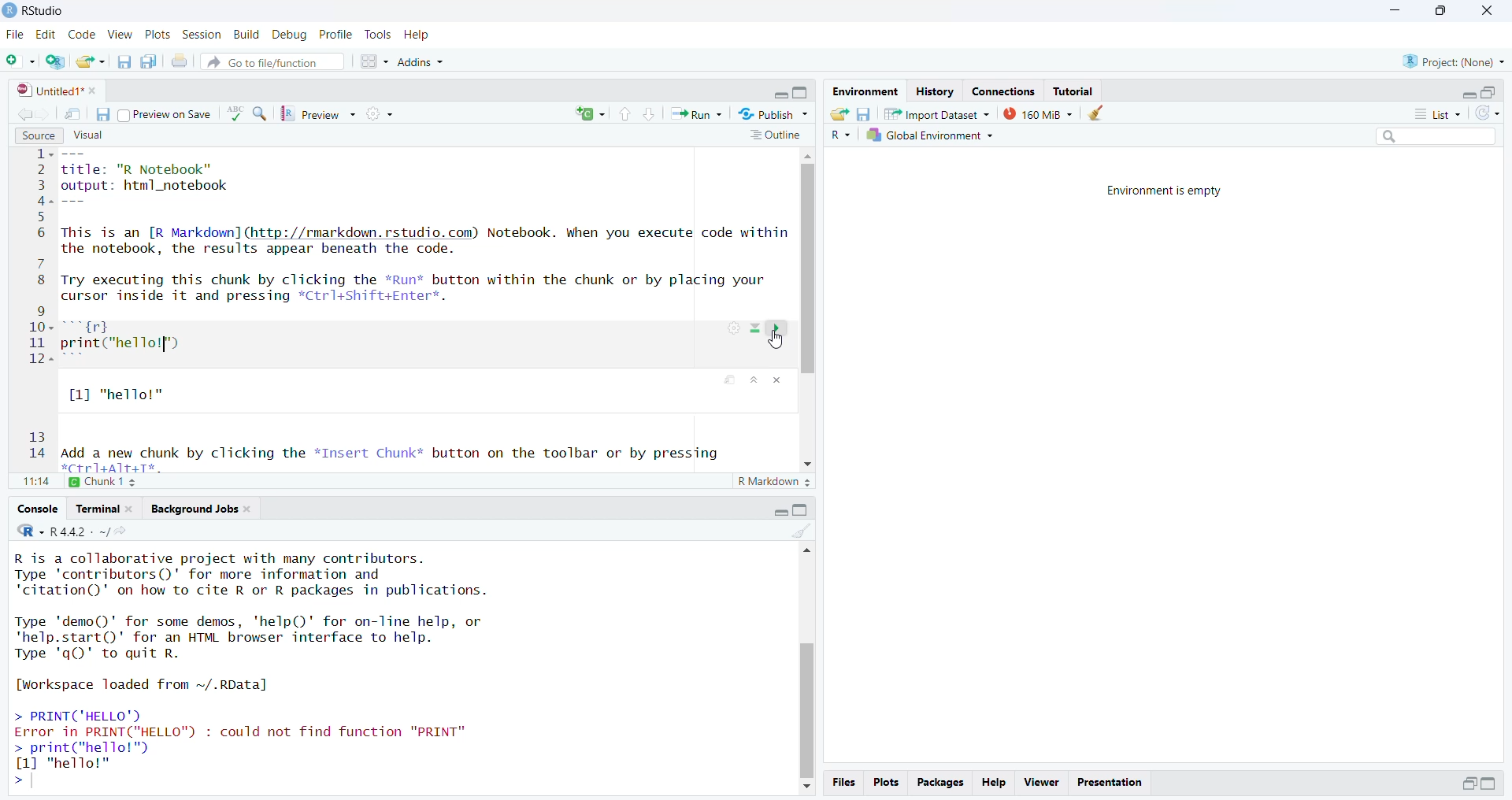 The width and height of the screenshot is (1512, 800). I want to click on clear object from the workspace, so click(1099, 113).